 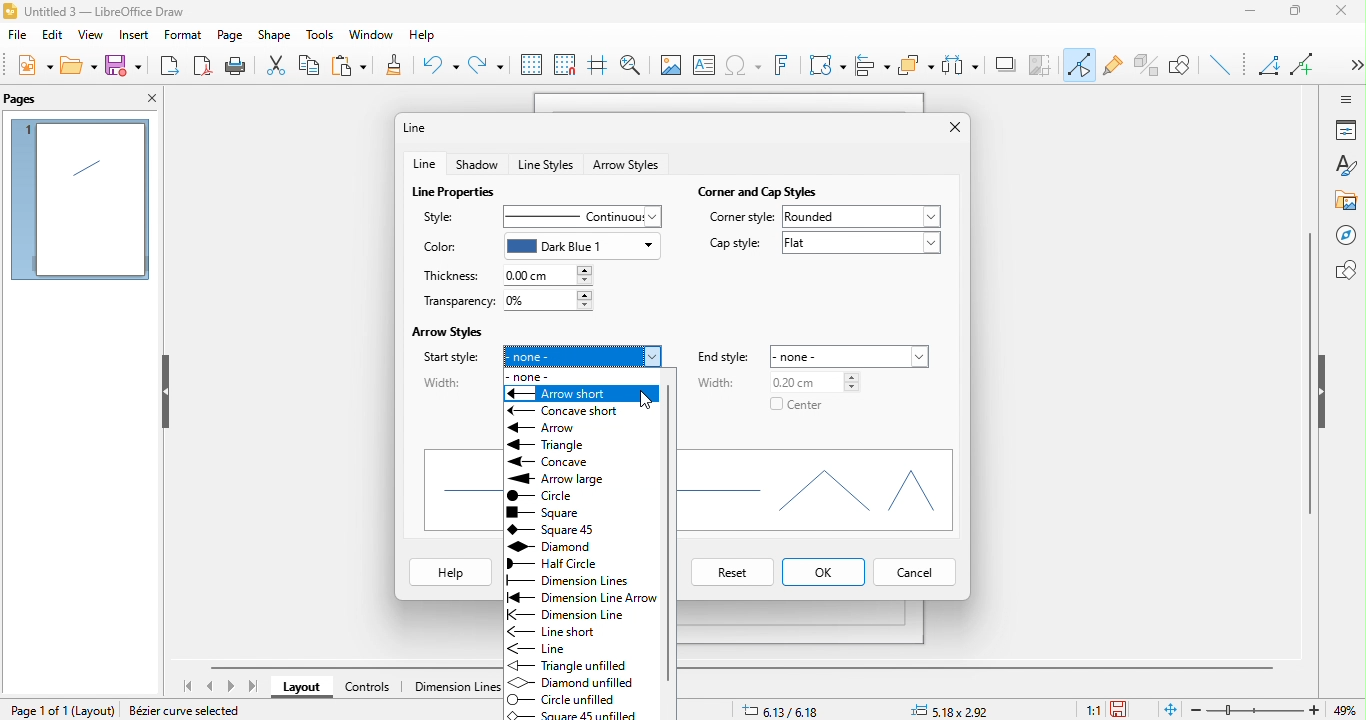 What do you see at coordinates (1127, 709) in the screenshot?
I see `the document has not been modified since the last save` at bounding box center [1127, 709].